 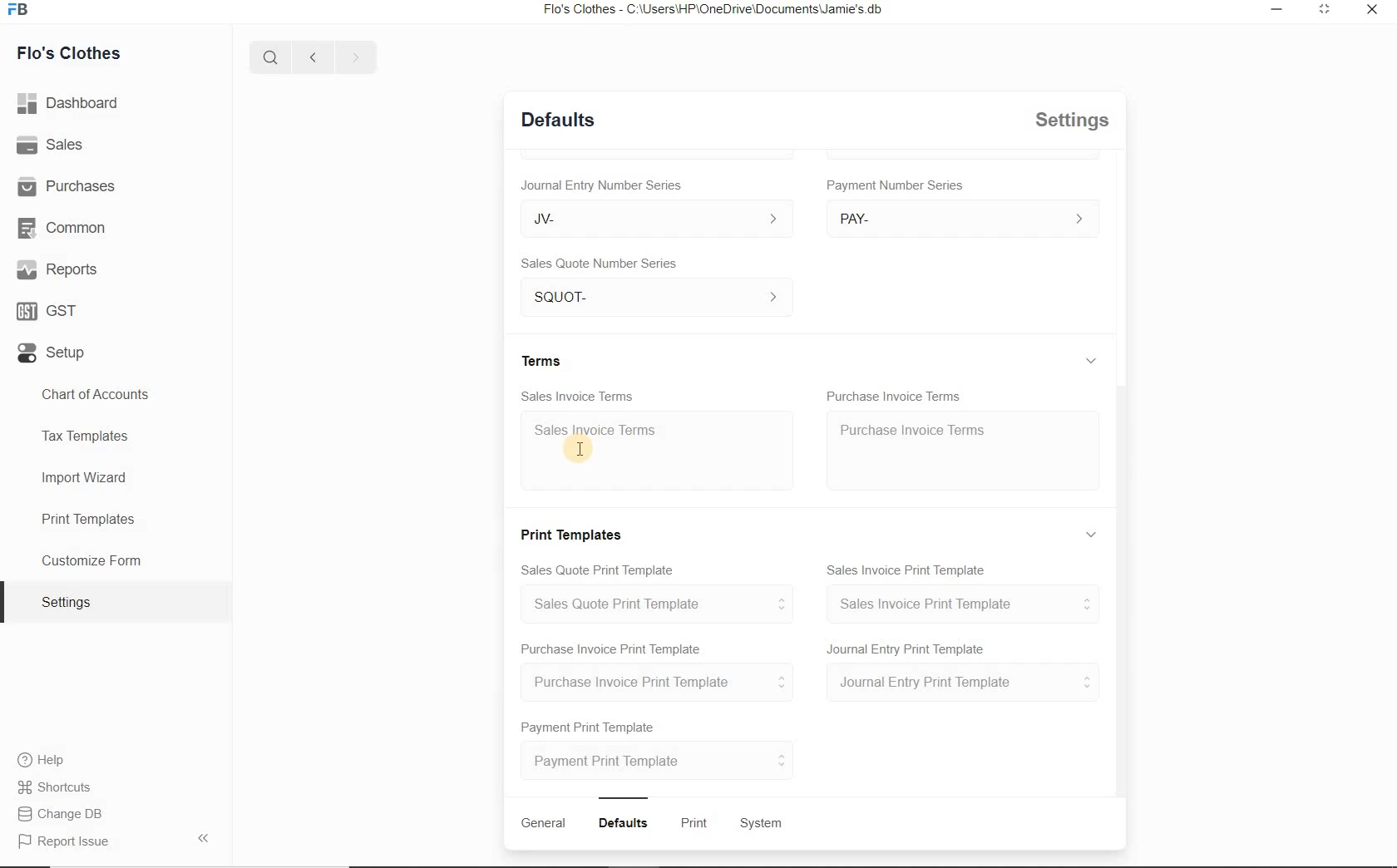 I want to click on JV, so click(x=649, y=218).